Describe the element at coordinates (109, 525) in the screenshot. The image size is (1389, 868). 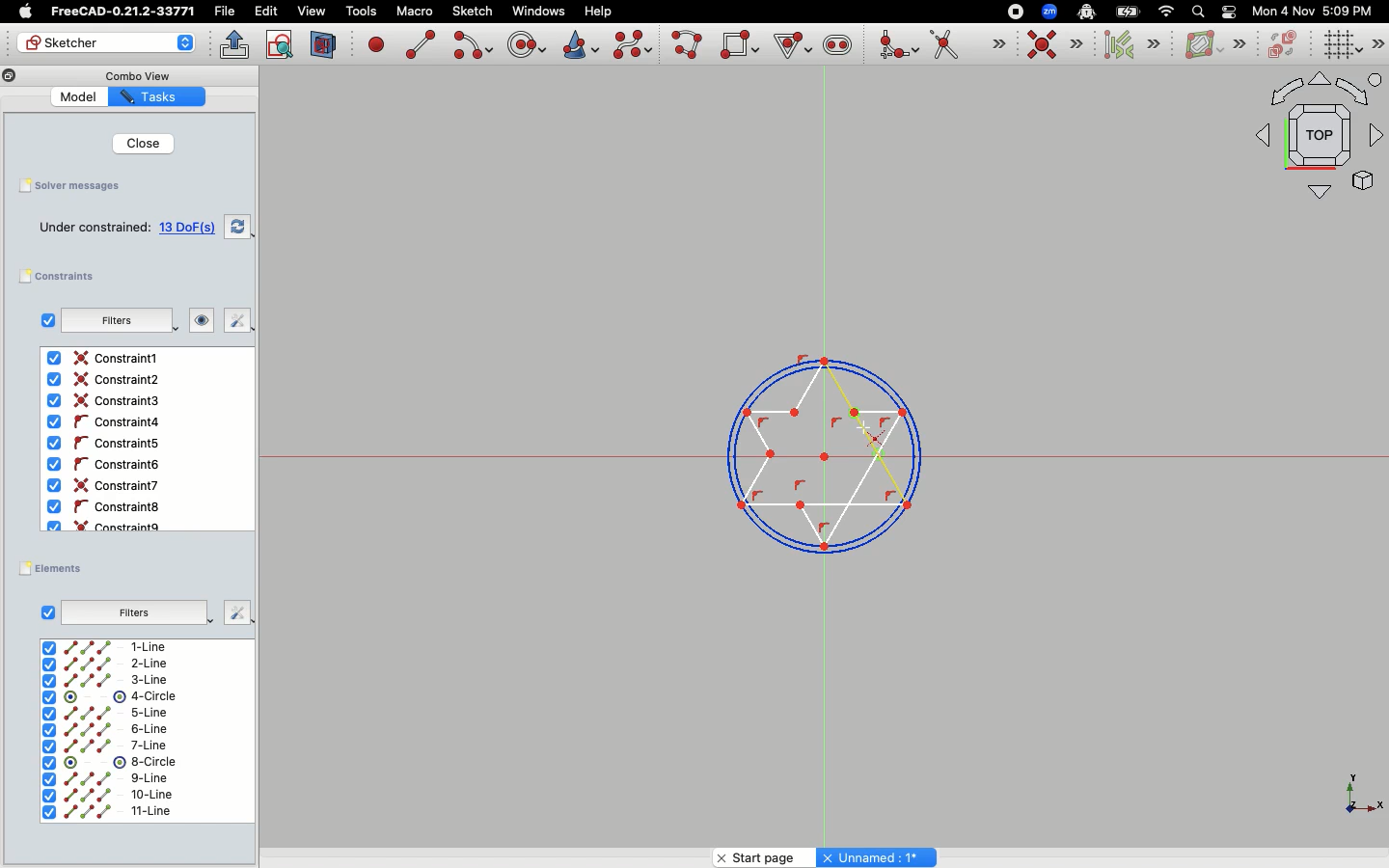
I see `Constraint9` at that location.